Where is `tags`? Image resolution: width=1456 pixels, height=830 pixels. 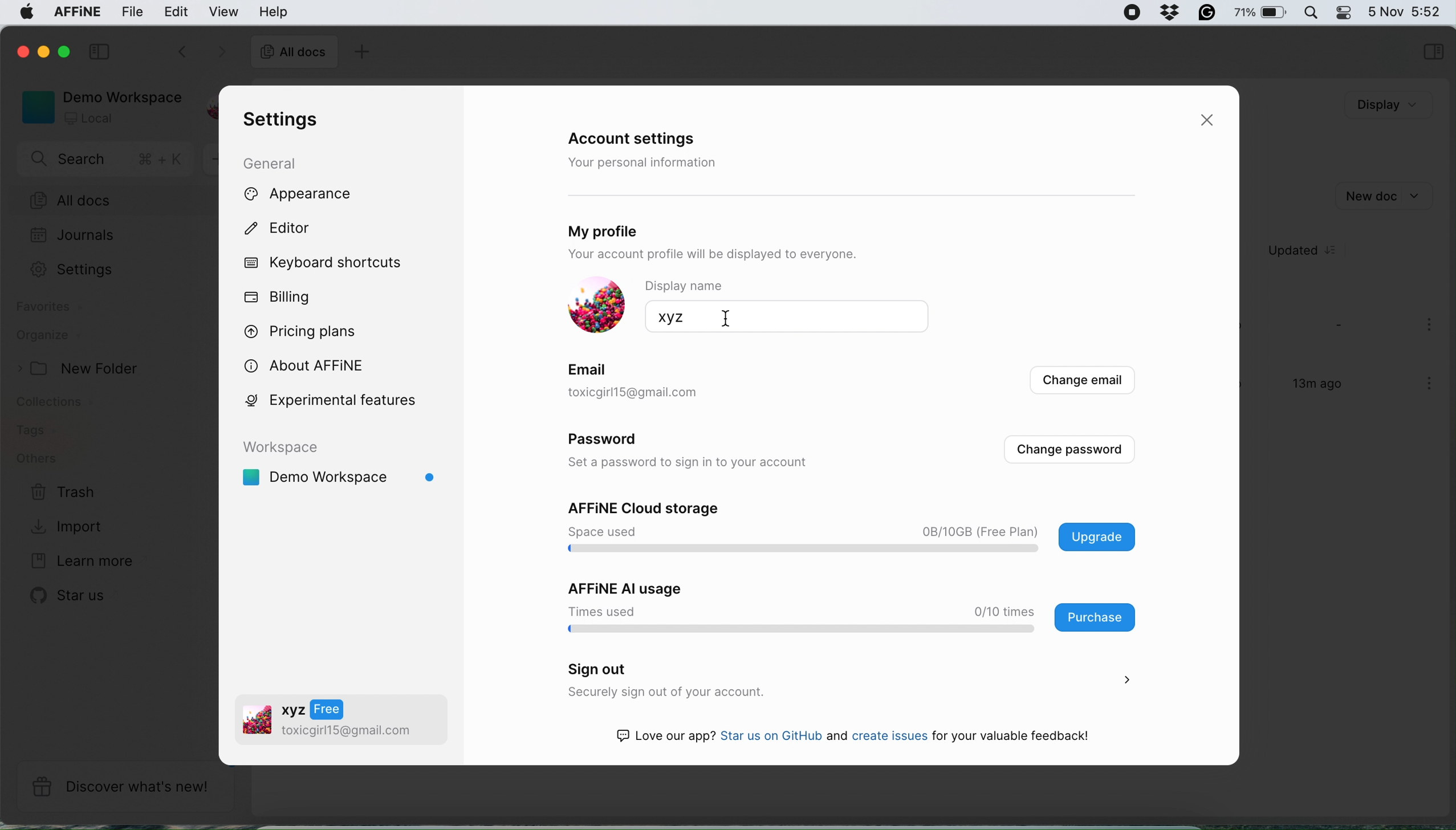 tags is located at coordinates (35, 431).